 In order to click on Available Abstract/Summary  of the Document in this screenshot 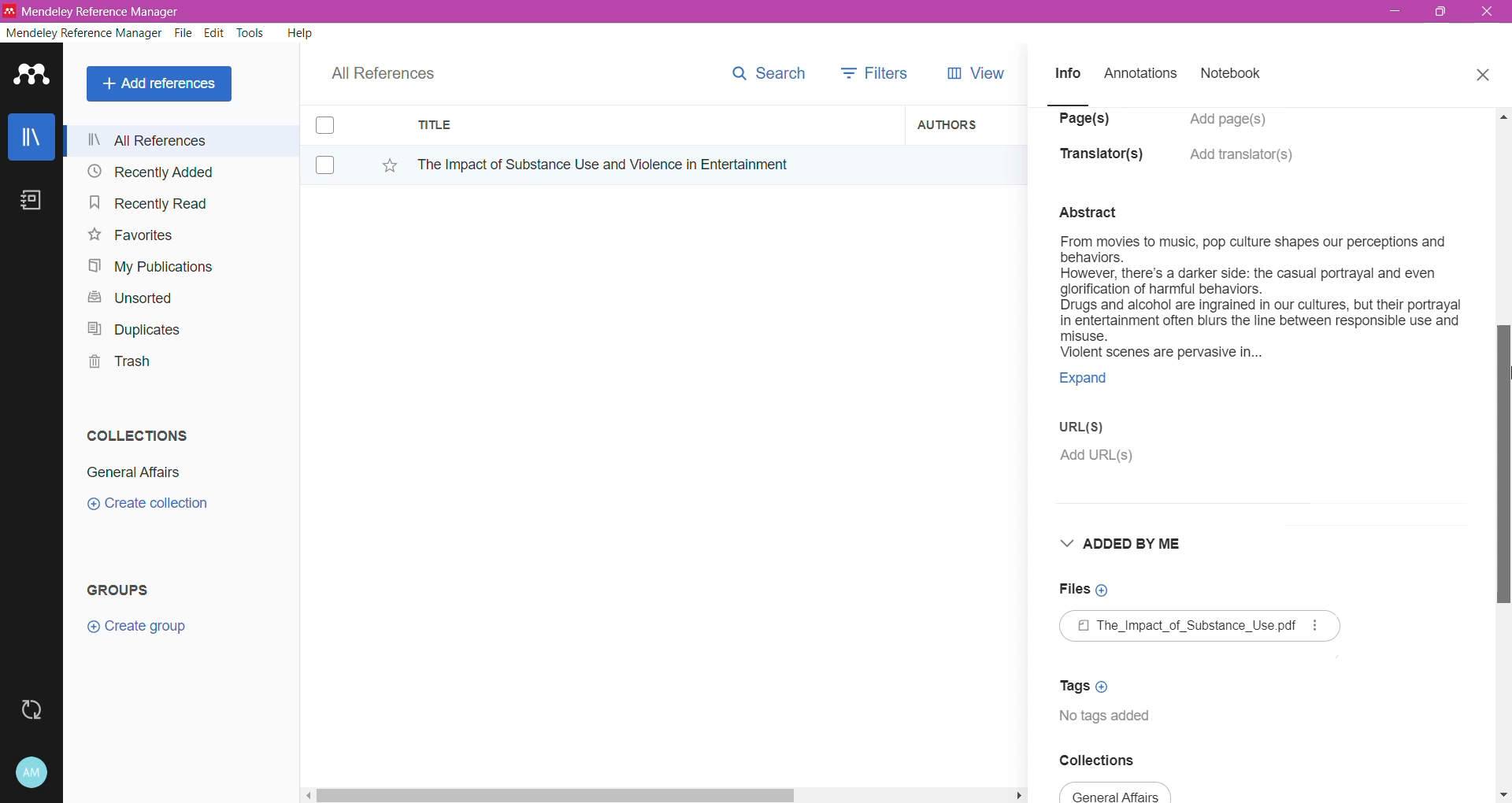, I will do `click(1259, 282)`.